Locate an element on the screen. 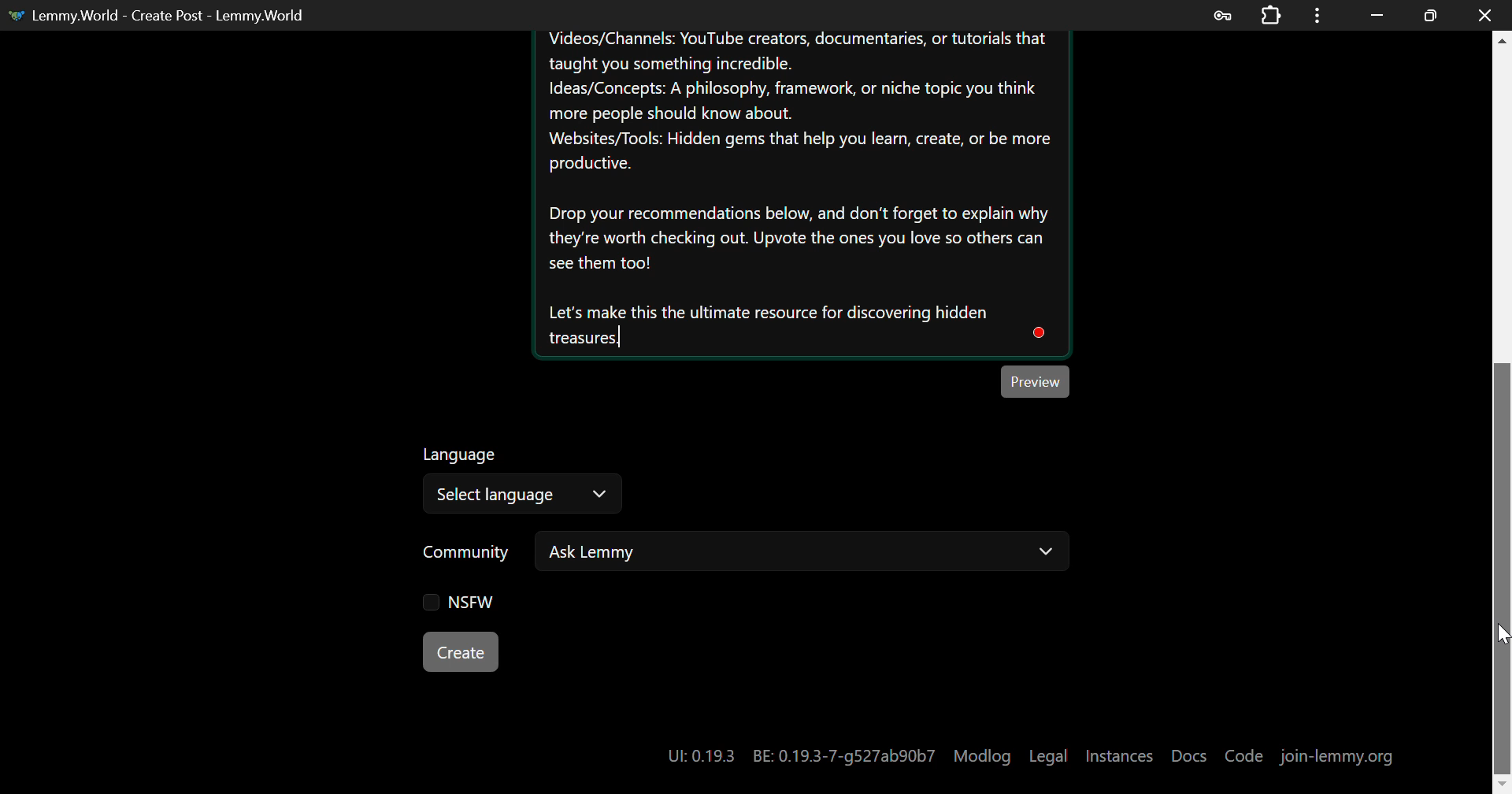 This screenshot has width=1512, height=794. Select Language is located at coordinates (524, 483).